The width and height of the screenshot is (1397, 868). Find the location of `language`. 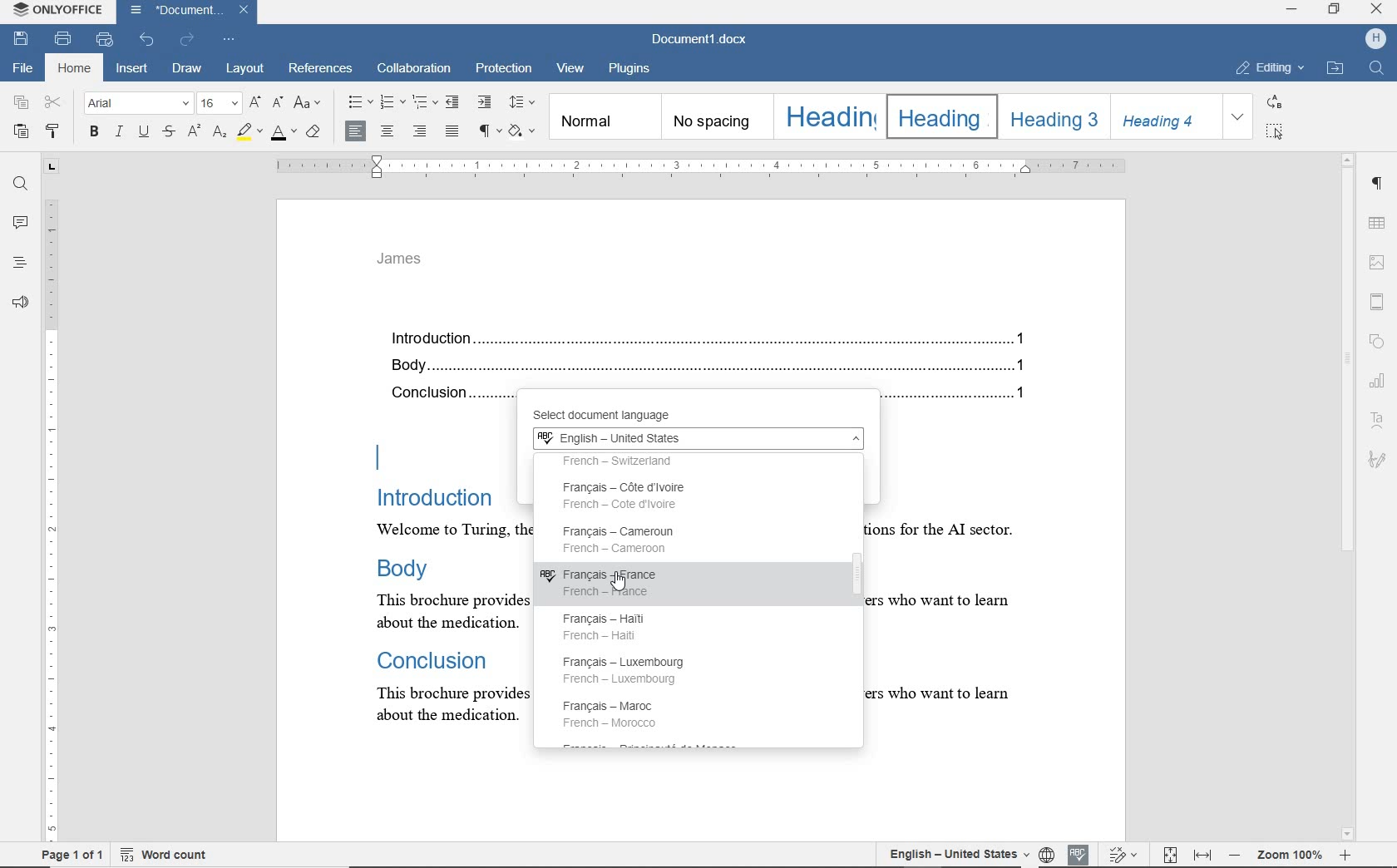

language is located at coordinates (1046, 854).